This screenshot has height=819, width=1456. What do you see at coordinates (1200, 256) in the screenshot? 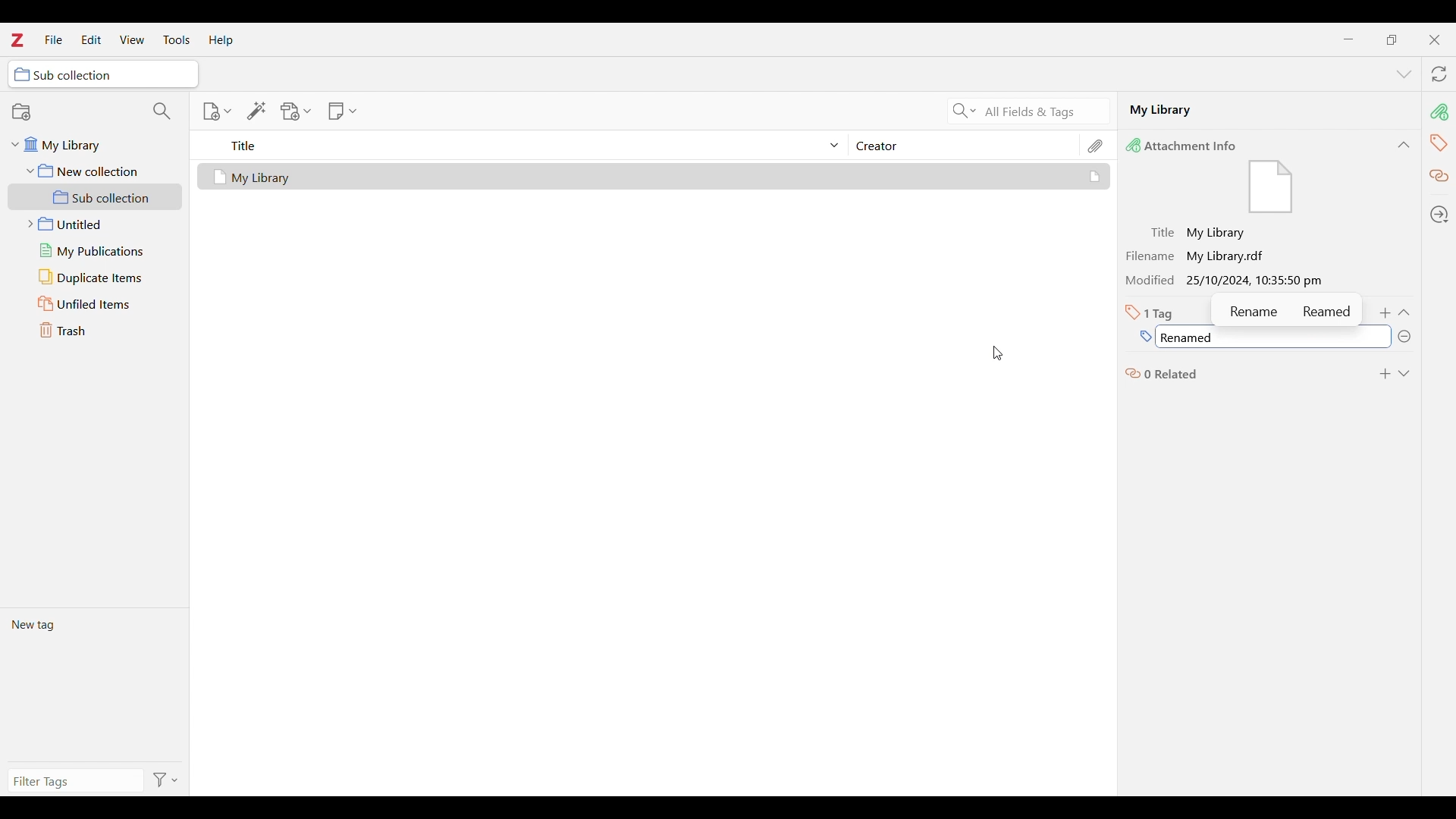
I see `Filename My Library.radt` at bounding box center [1200, 256].